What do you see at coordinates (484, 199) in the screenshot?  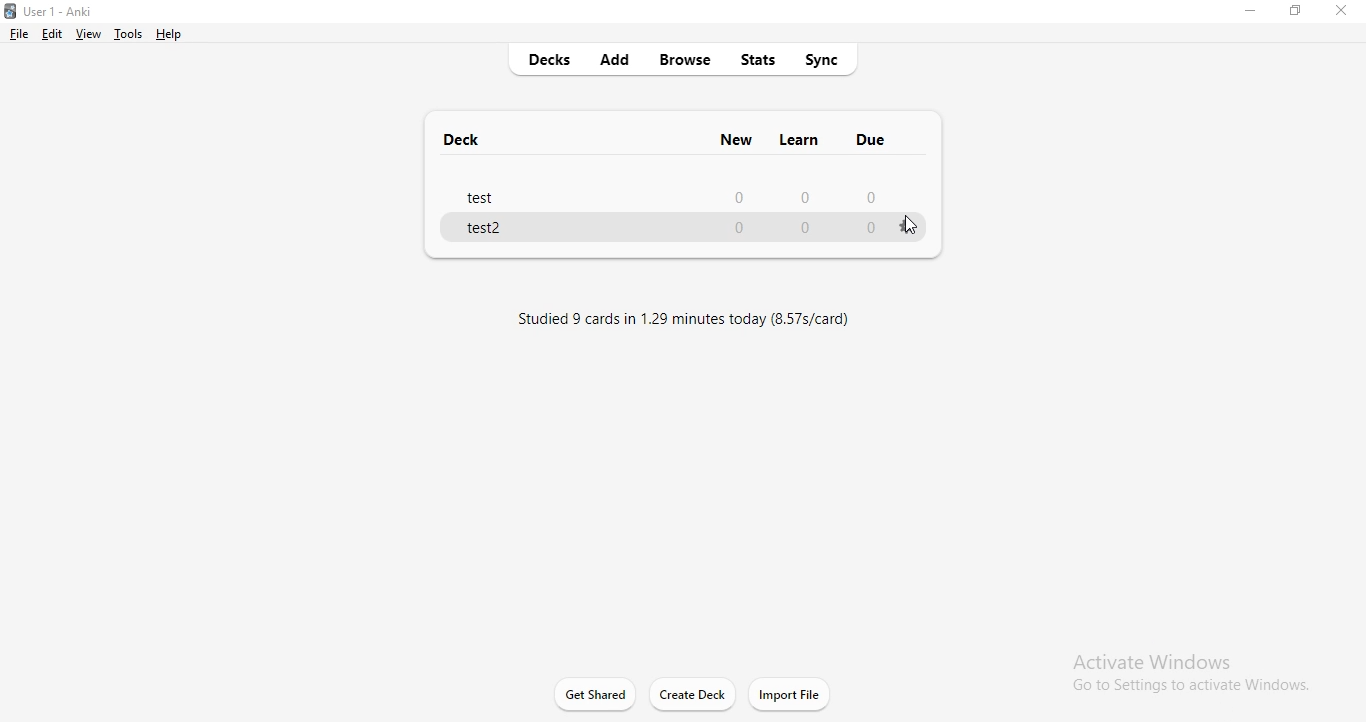 I see `test` at bounding box center [484, 199].